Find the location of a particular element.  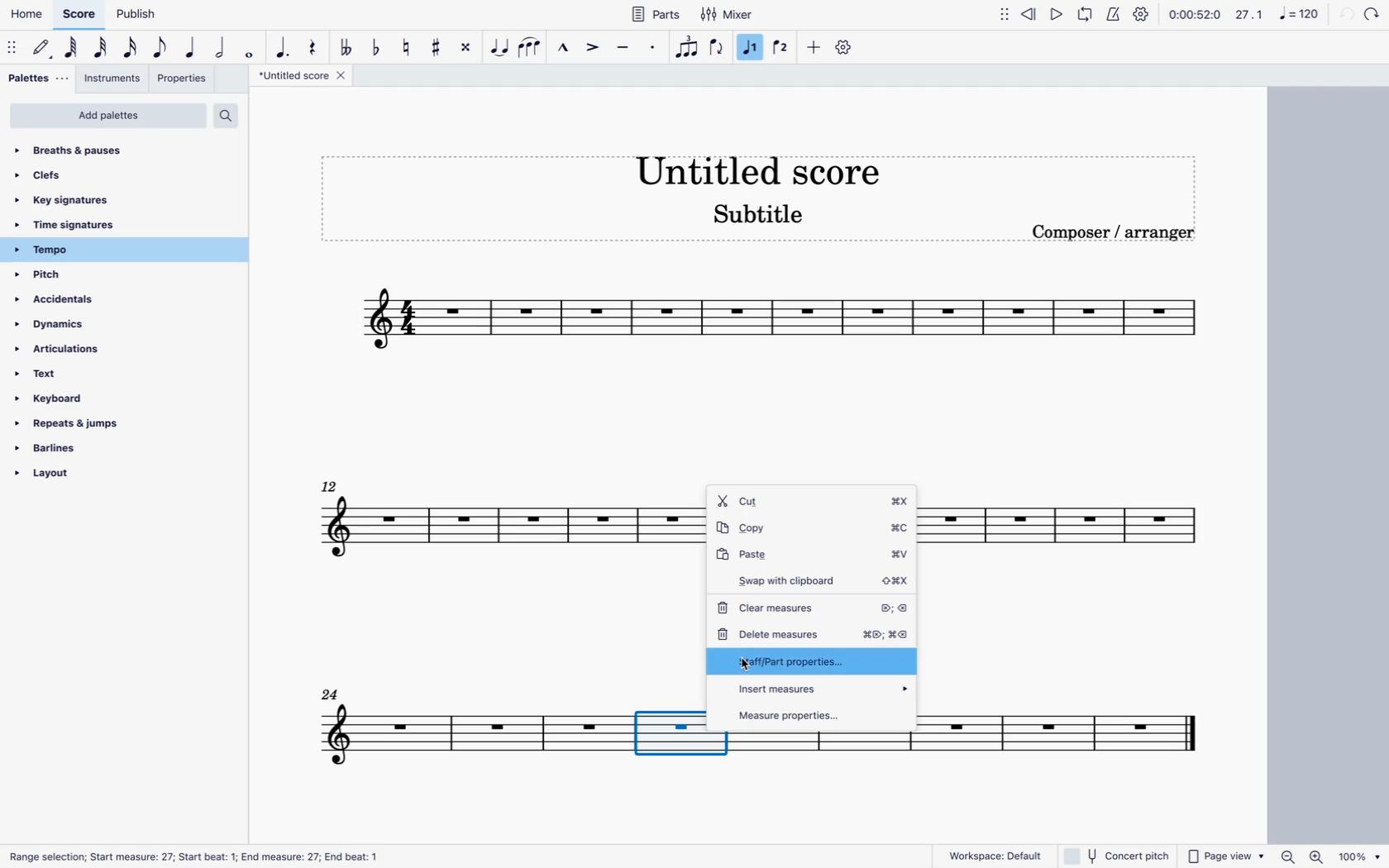

loop playback is located at coordinates (1086, 13).